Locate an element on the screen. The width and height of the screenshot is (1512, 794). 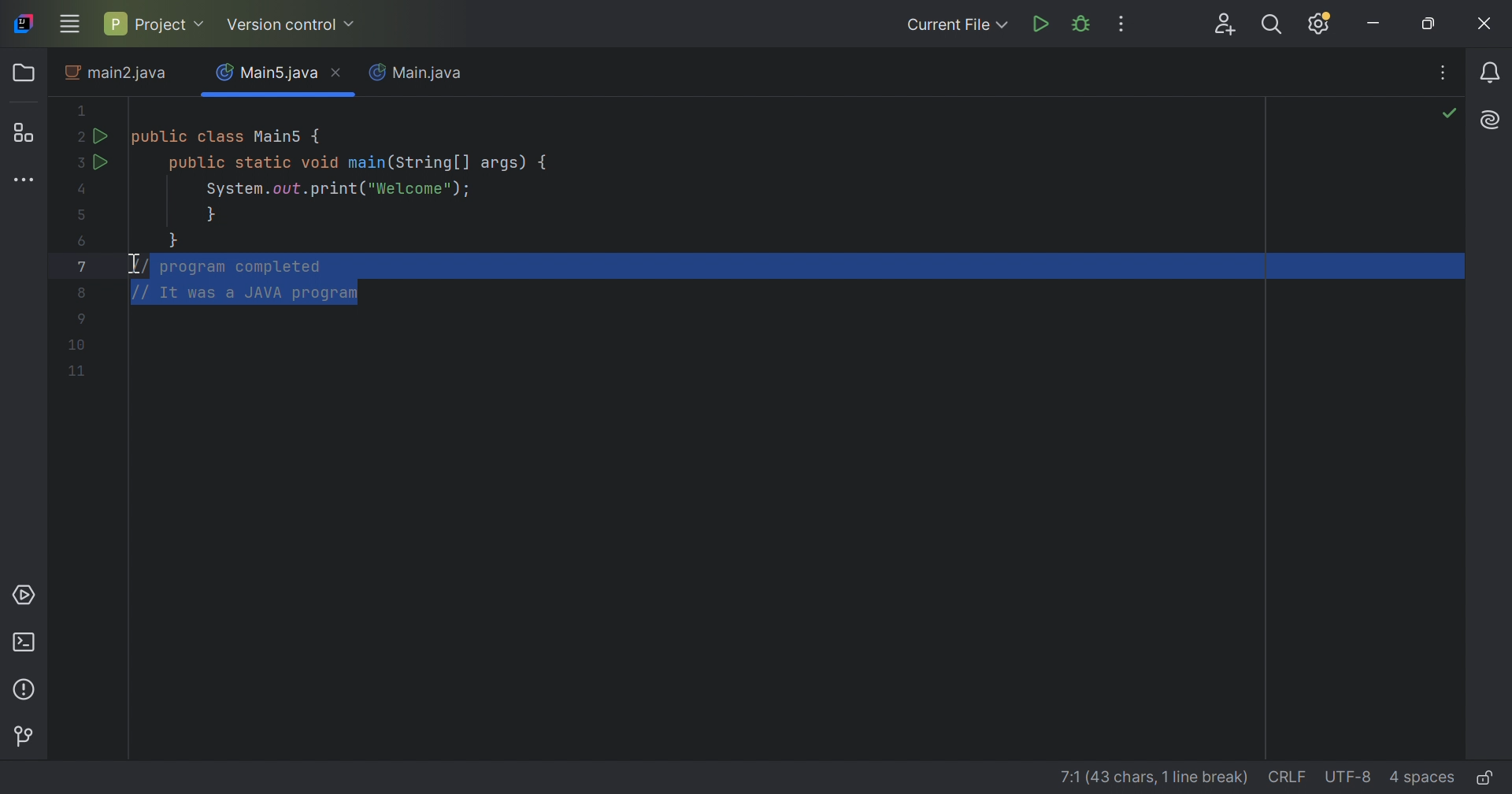
Main5.java is located at coordinates (267, 70).